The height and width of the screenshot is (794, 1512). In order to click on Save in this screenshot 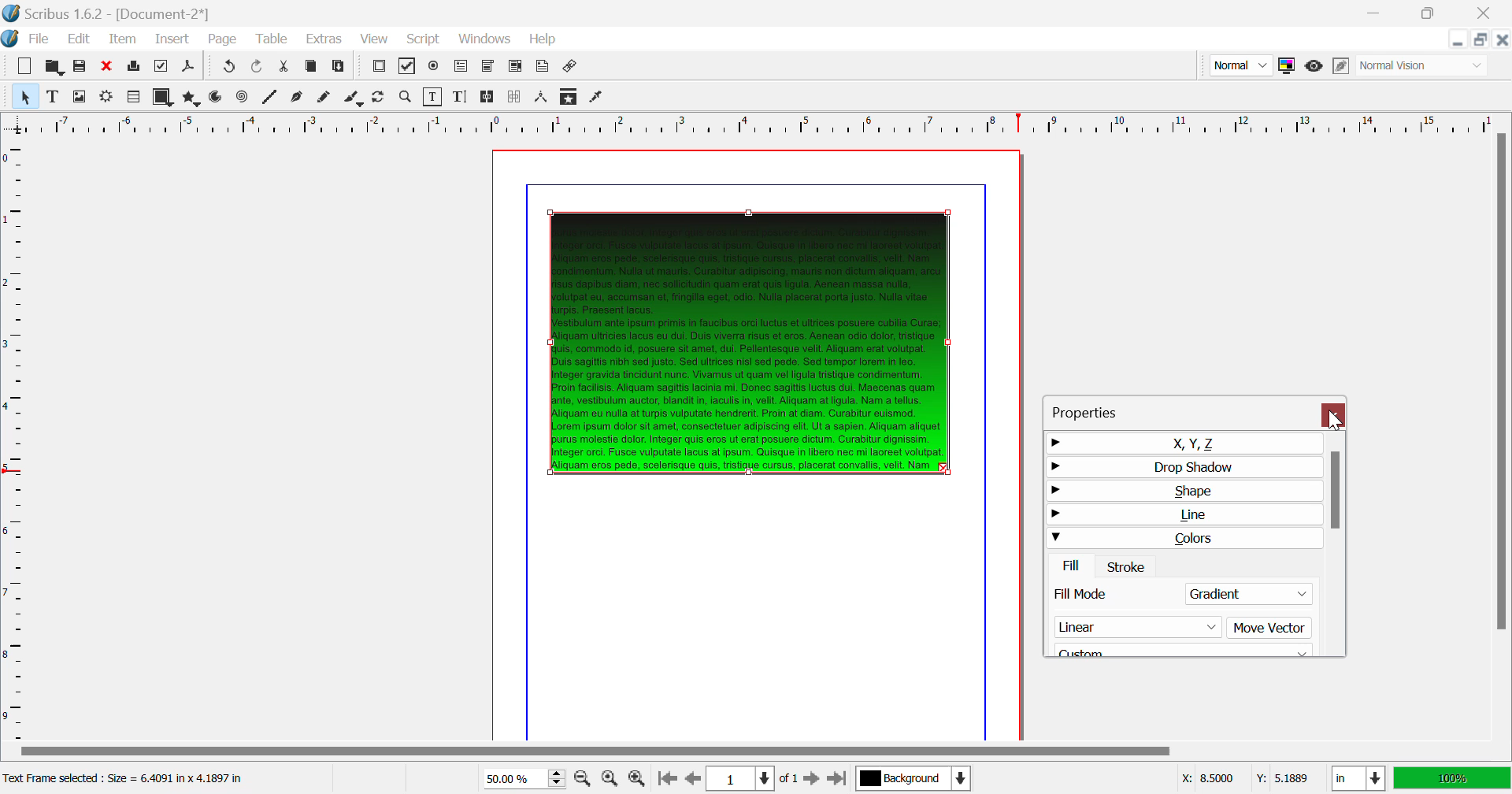, I will do `click(80, 66)`.